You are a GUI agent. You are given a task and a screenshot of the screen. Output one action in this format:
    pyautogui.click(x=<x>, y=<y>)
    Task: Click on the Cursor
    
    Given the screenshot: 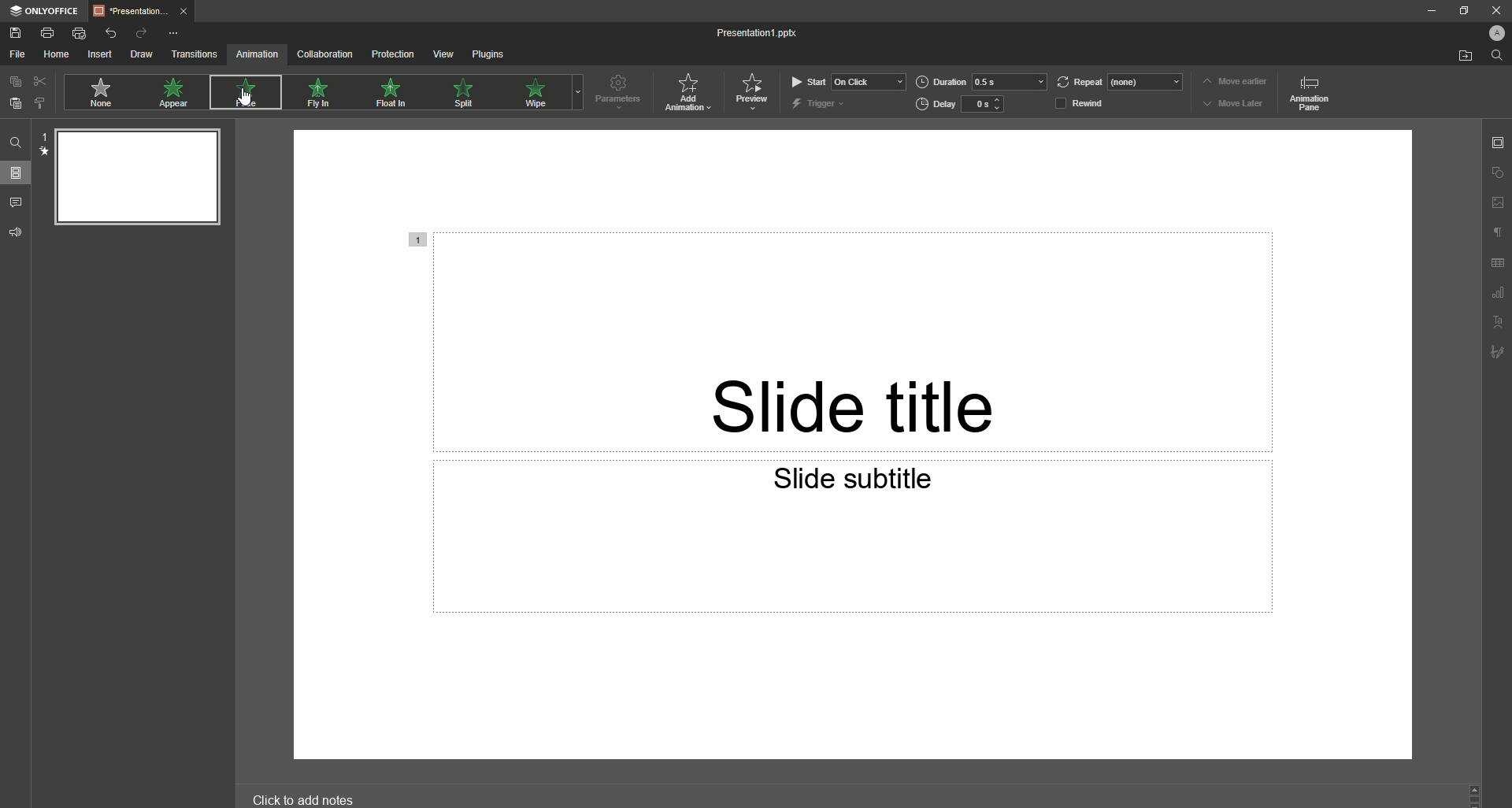 What is the action you would take?
    pyautogui.click(x=245, y=102)
    